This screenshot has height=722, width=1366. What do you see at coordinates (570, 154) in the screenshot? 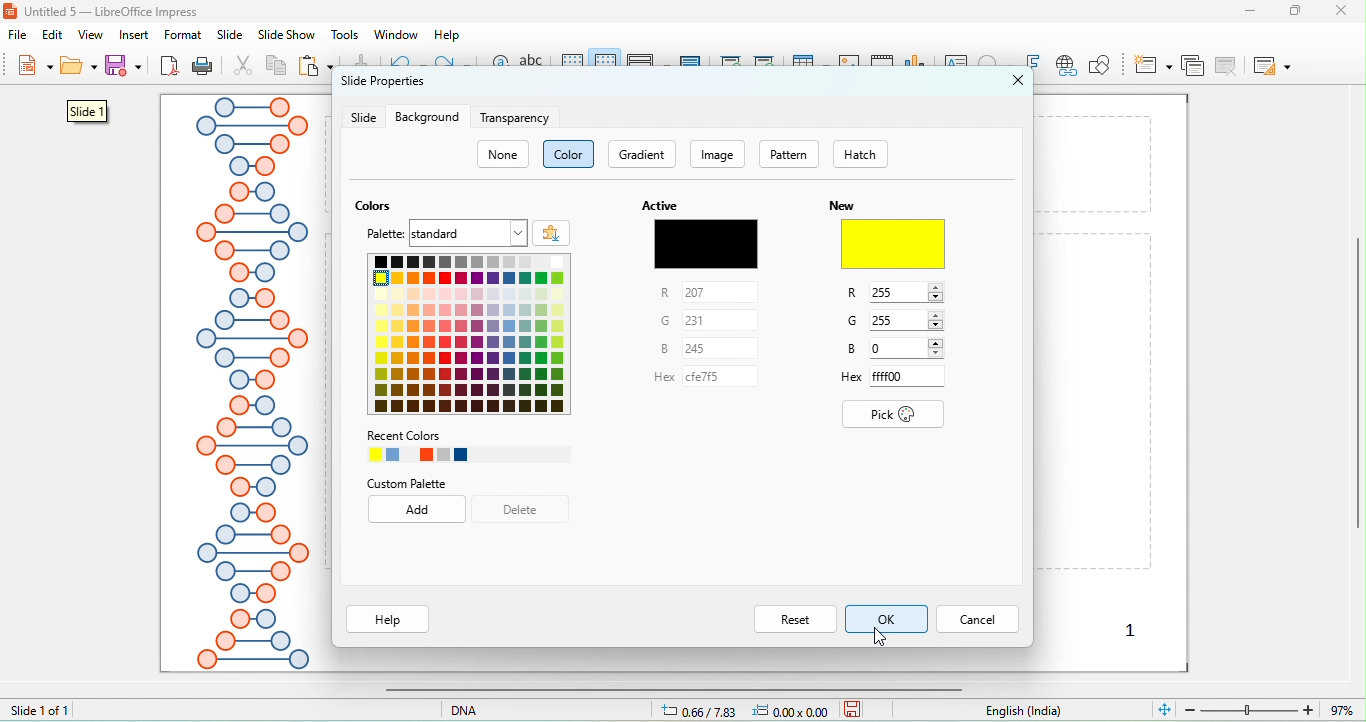
I see `color` at bounding box center [570, 154].